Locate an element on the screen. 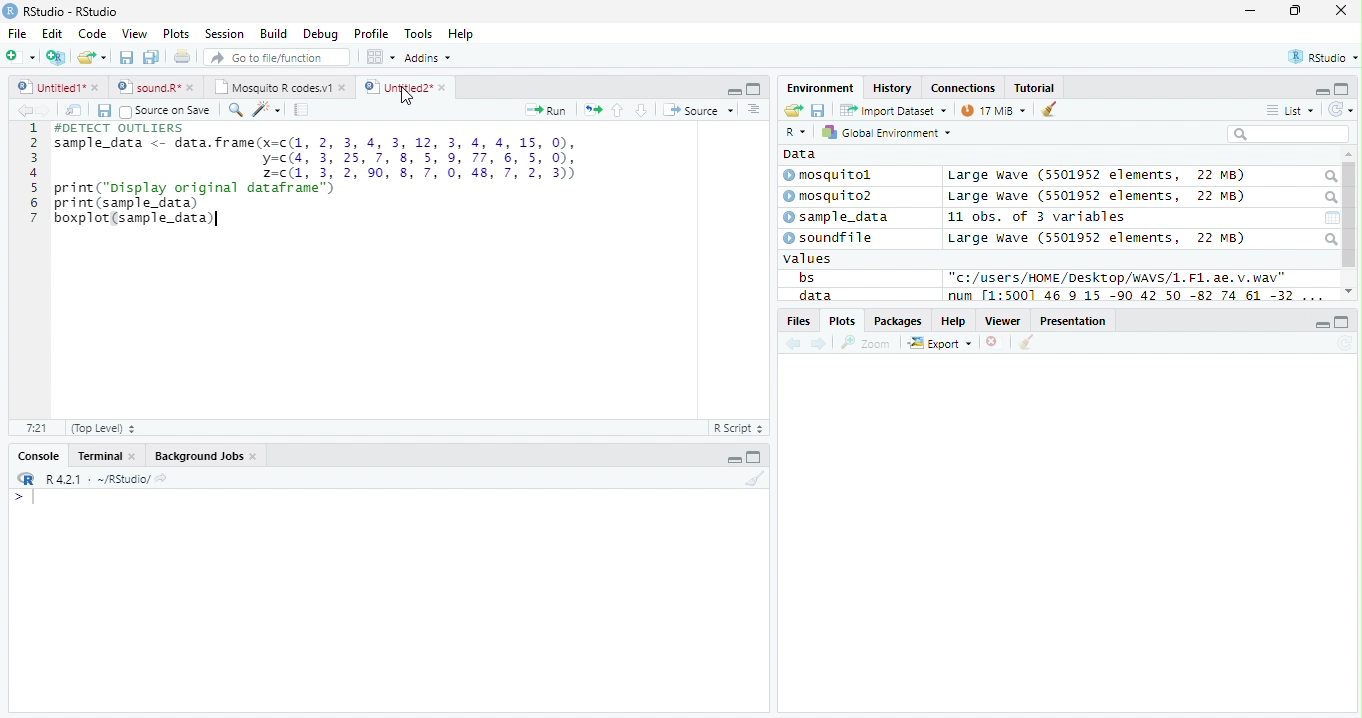 Image resolution: width=1362 pixels, height=718 pixels. Folder is located at coordinates (793, 110).